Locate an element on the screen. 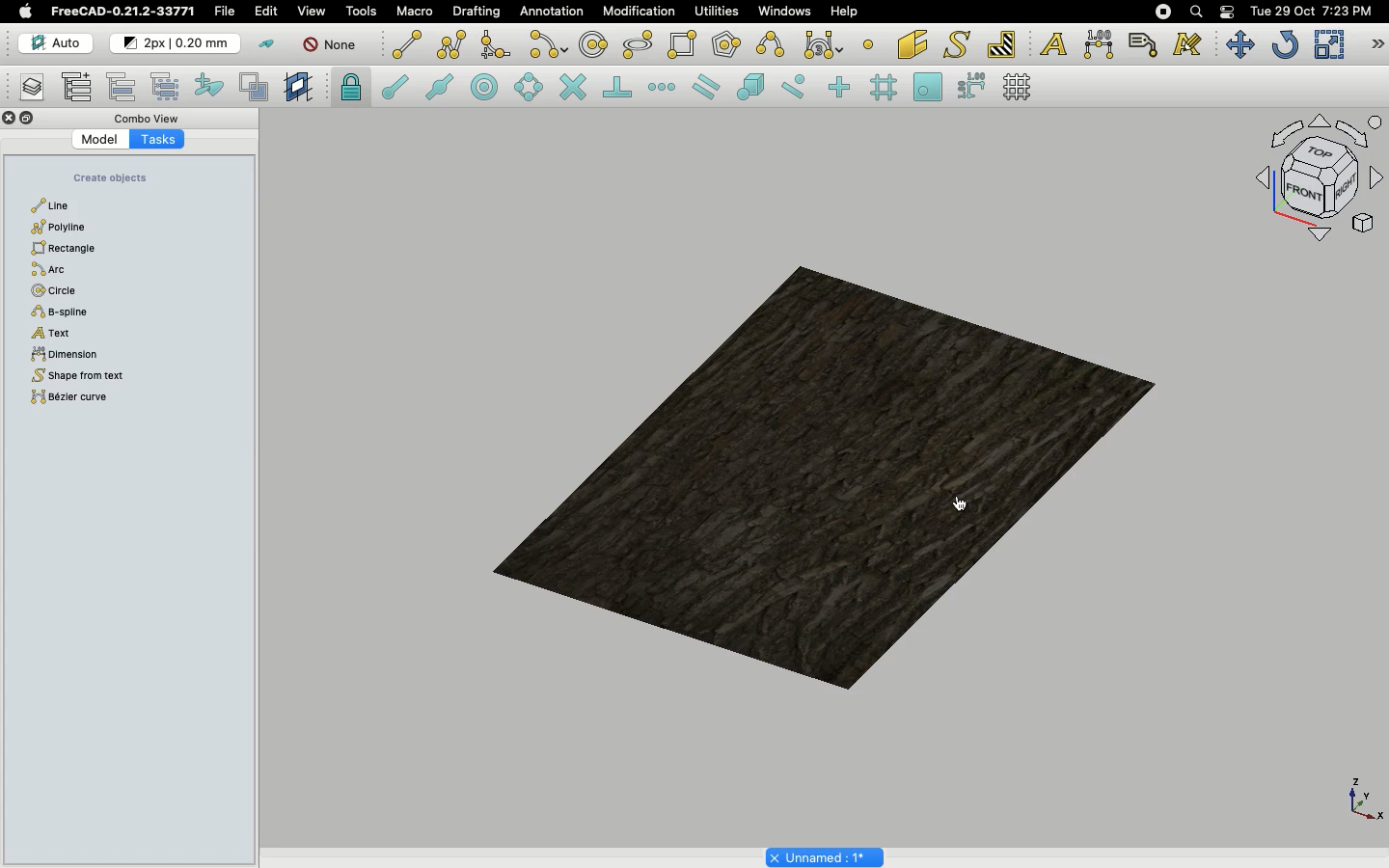  Circle is located at coordinates (593, 44).